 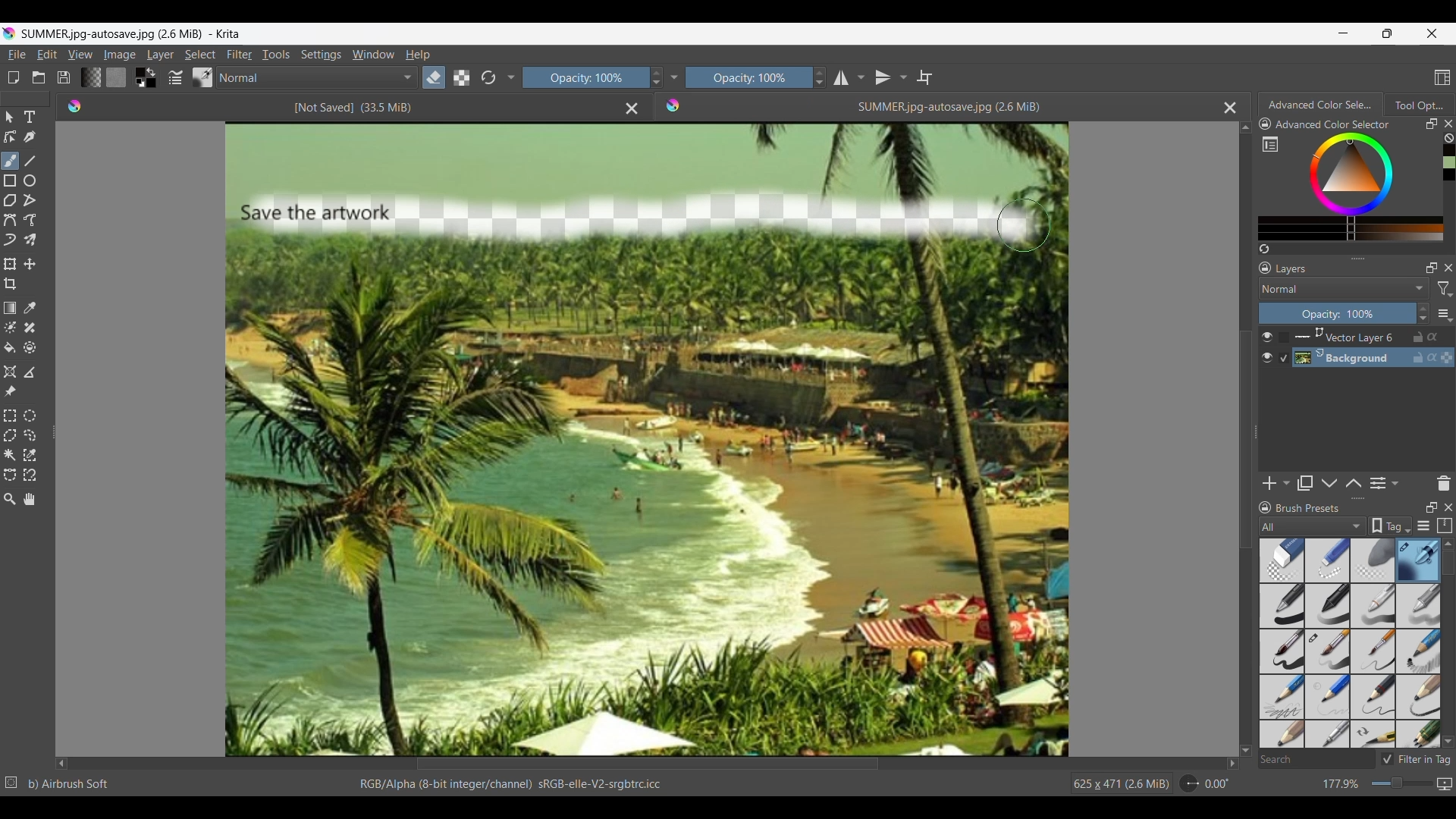 I want to click on Magnetic curve selection tool, so click(x=30, y=475).